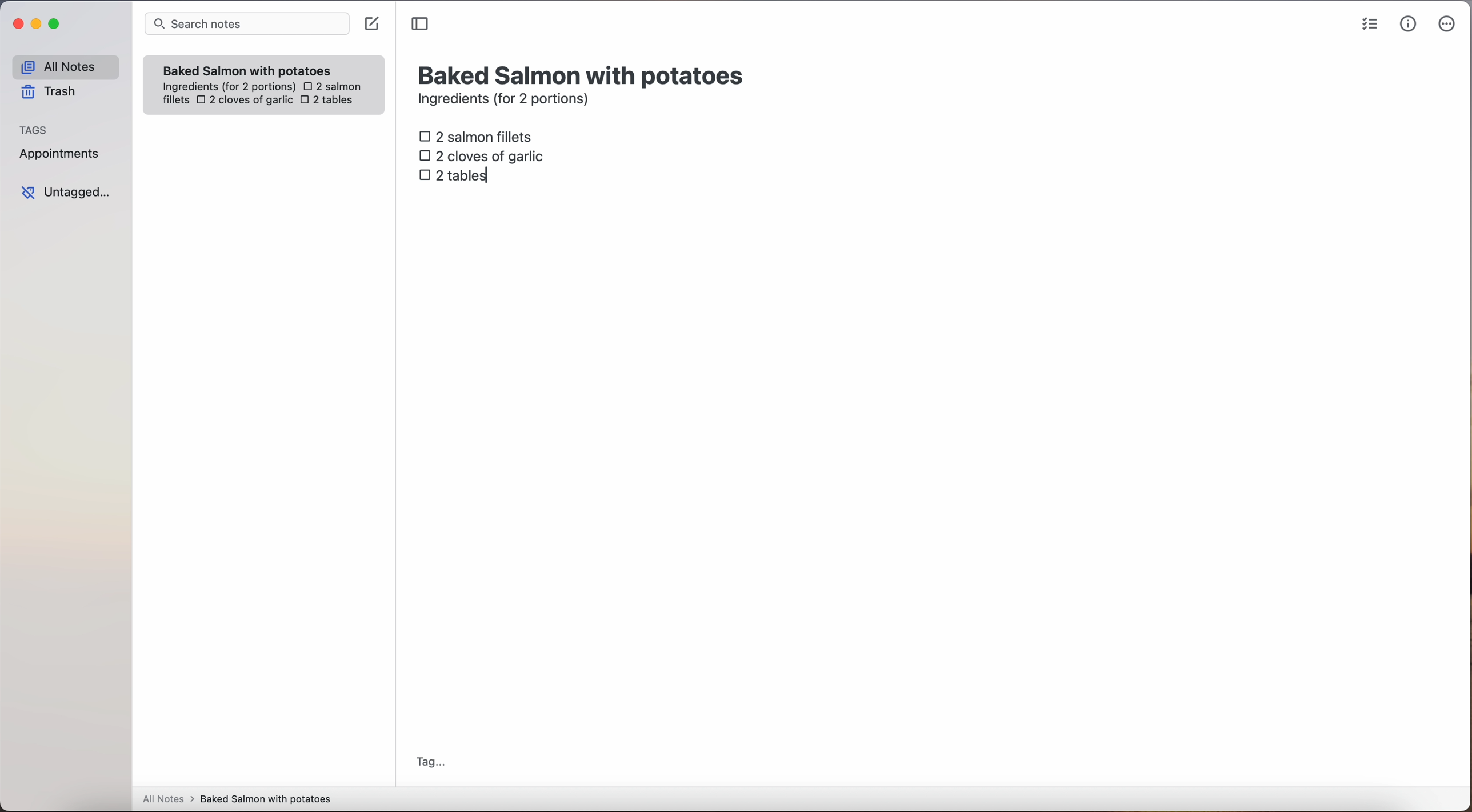  Describe the element at coordinates (245, 101) in the screenshot. I see `2 cloves of garlic` at that location.